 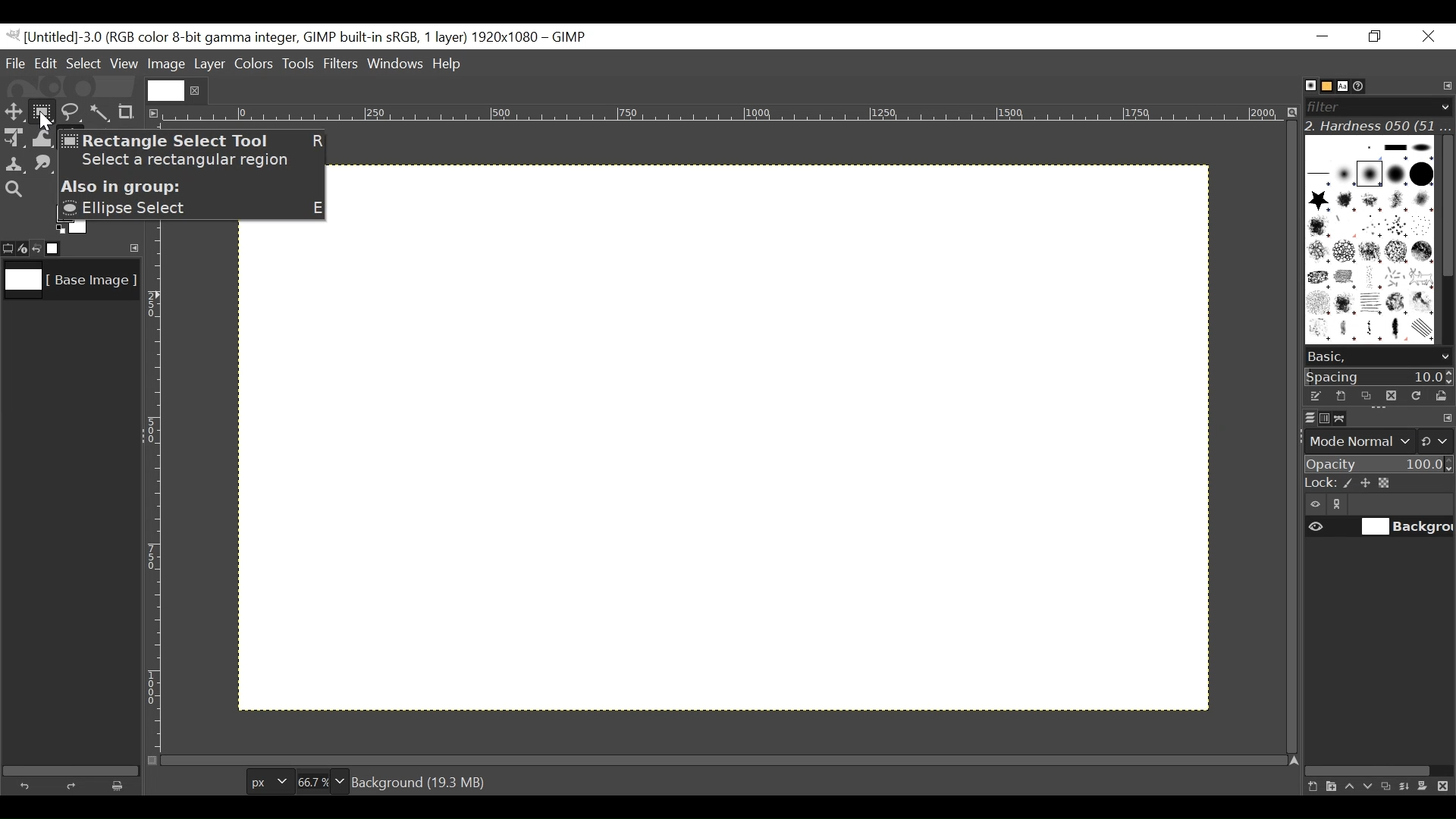 I want to click on Duplicate brush, so click(x=1366, y=396).